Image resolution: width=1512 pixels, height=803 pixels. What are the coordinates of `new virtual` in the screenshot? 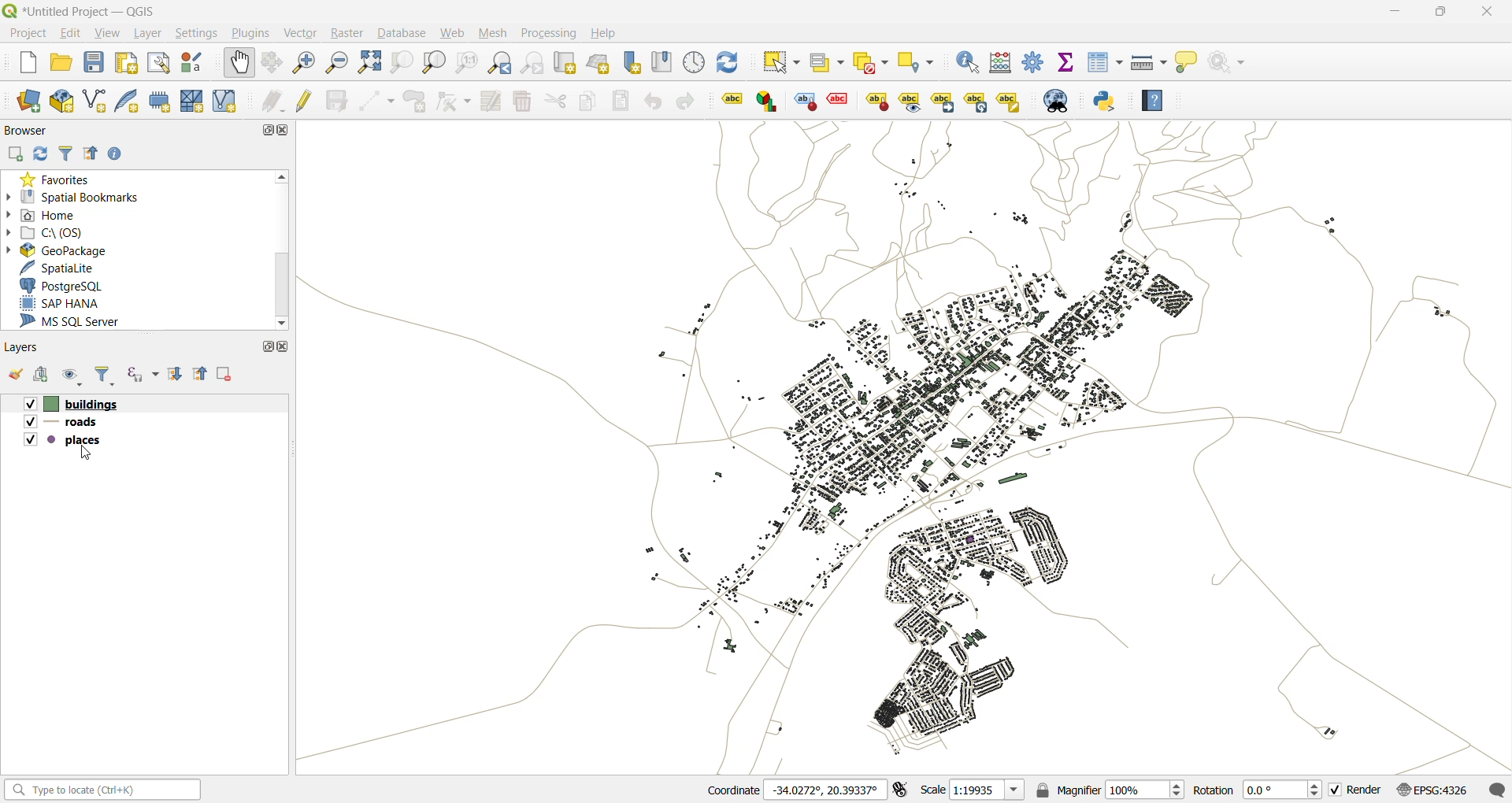 It's located at (226, 102).